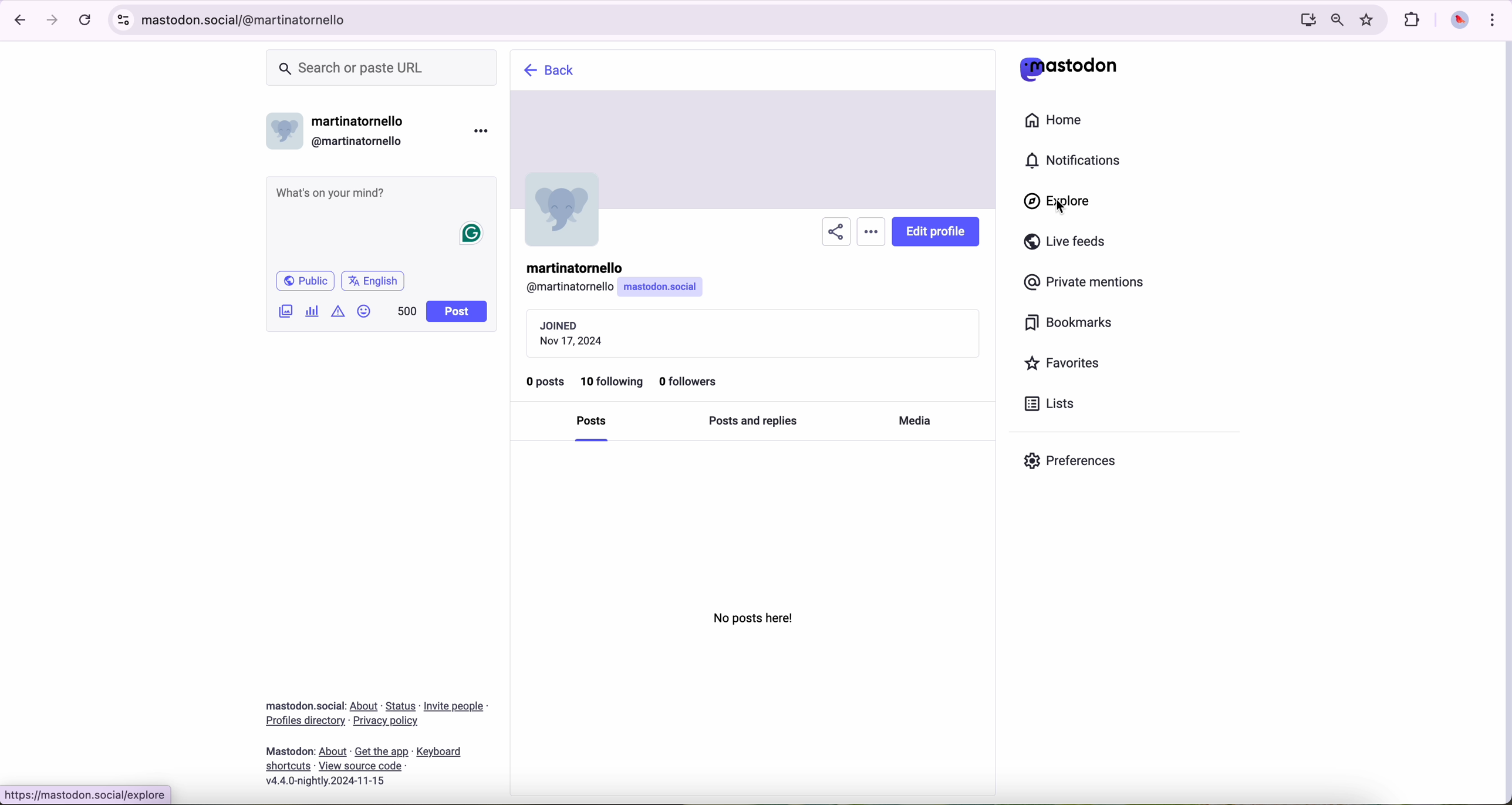 The image size is (1512, 805). I want to click on link, so click(401, 707).